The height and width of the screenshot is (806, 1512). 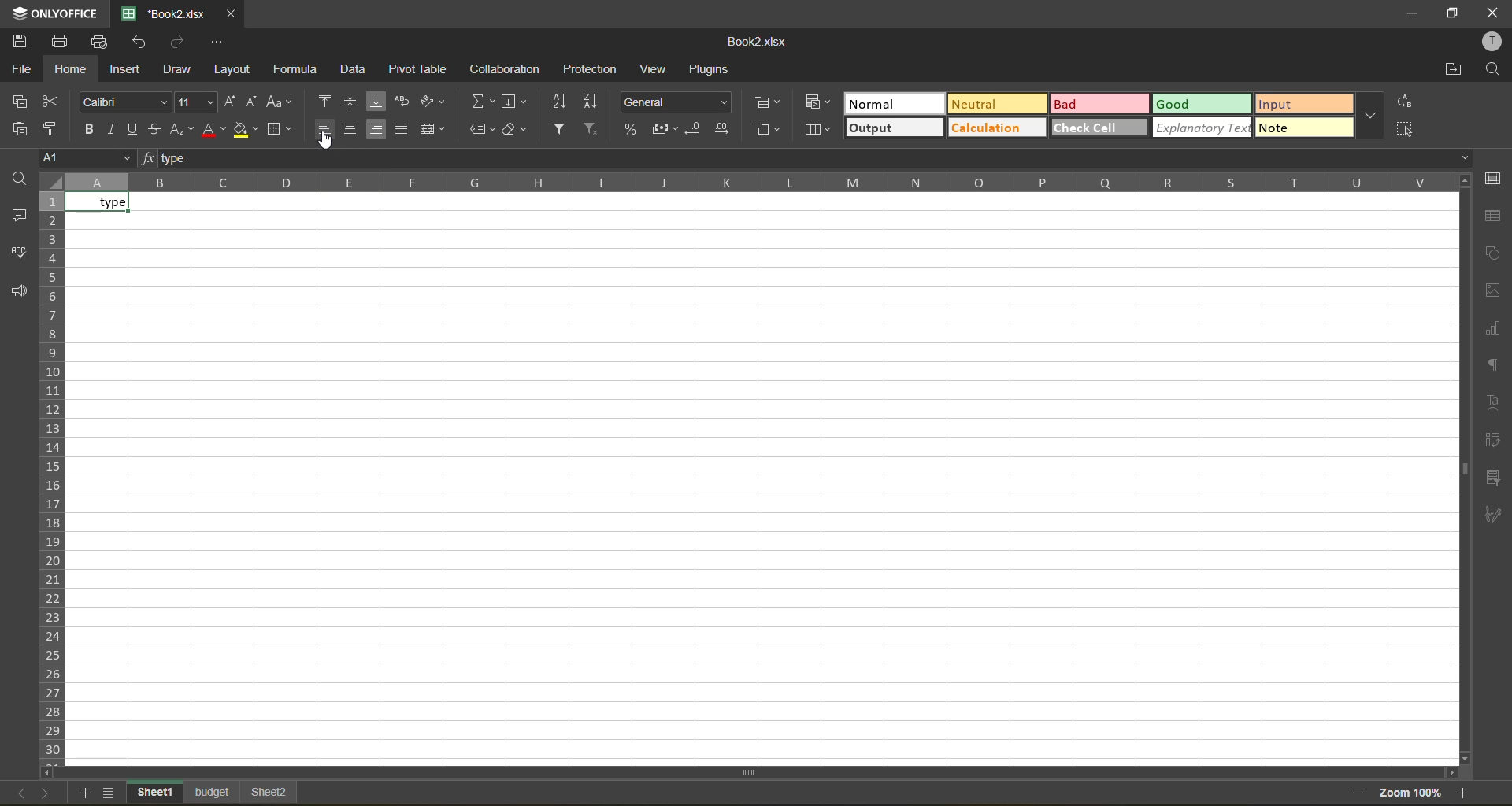 I want to click on format as table, so click(x=821, y=131).